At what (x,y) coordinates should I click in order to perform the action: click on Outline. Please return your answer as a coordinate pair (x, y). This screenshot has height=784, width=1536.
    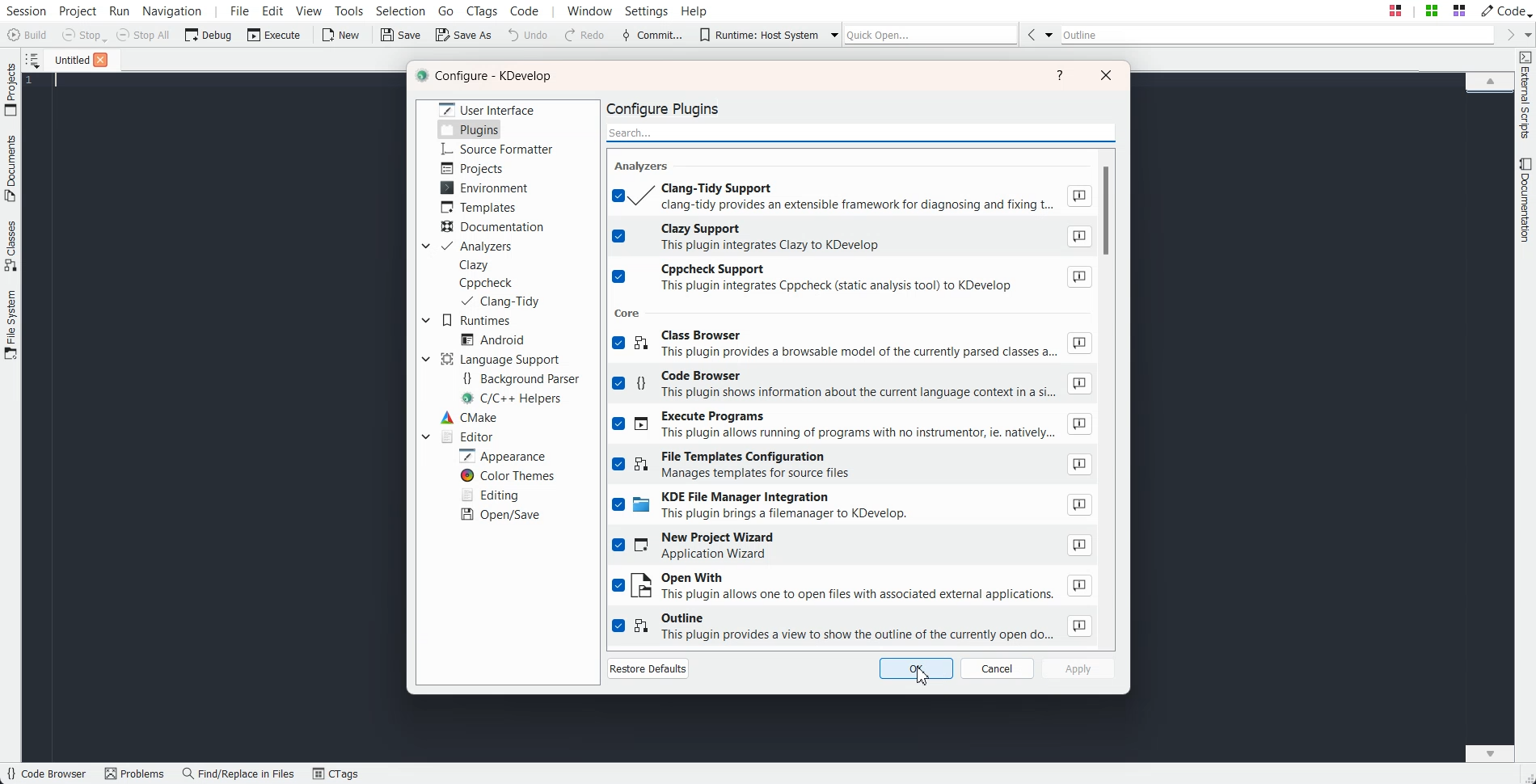
    Looking at the image, I should click on (1278, 35).